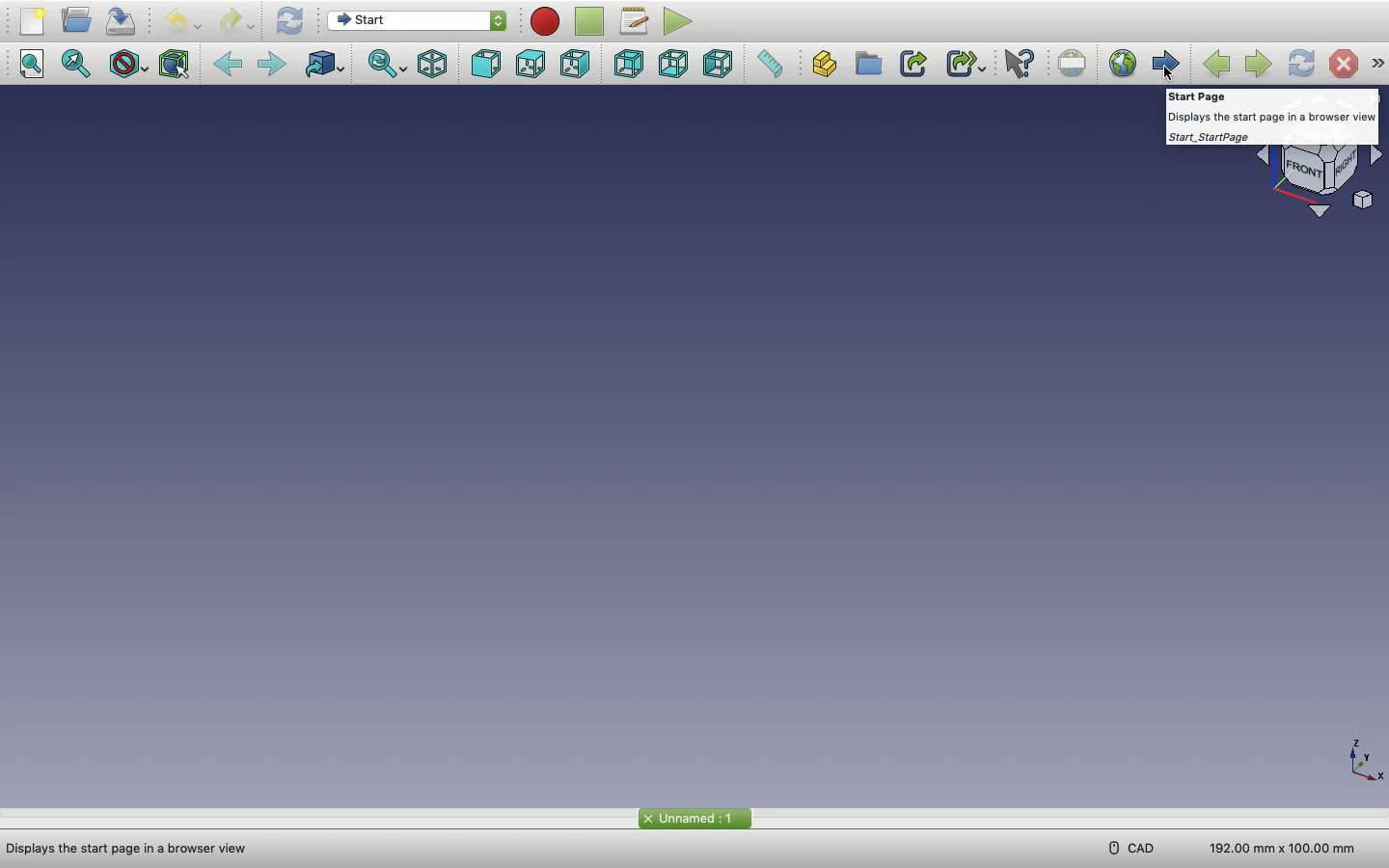 This screenshot has width=1389, height=868. Describe the element at coordinates (1359, 756) in the screenshot. I see `Axis` at that location.